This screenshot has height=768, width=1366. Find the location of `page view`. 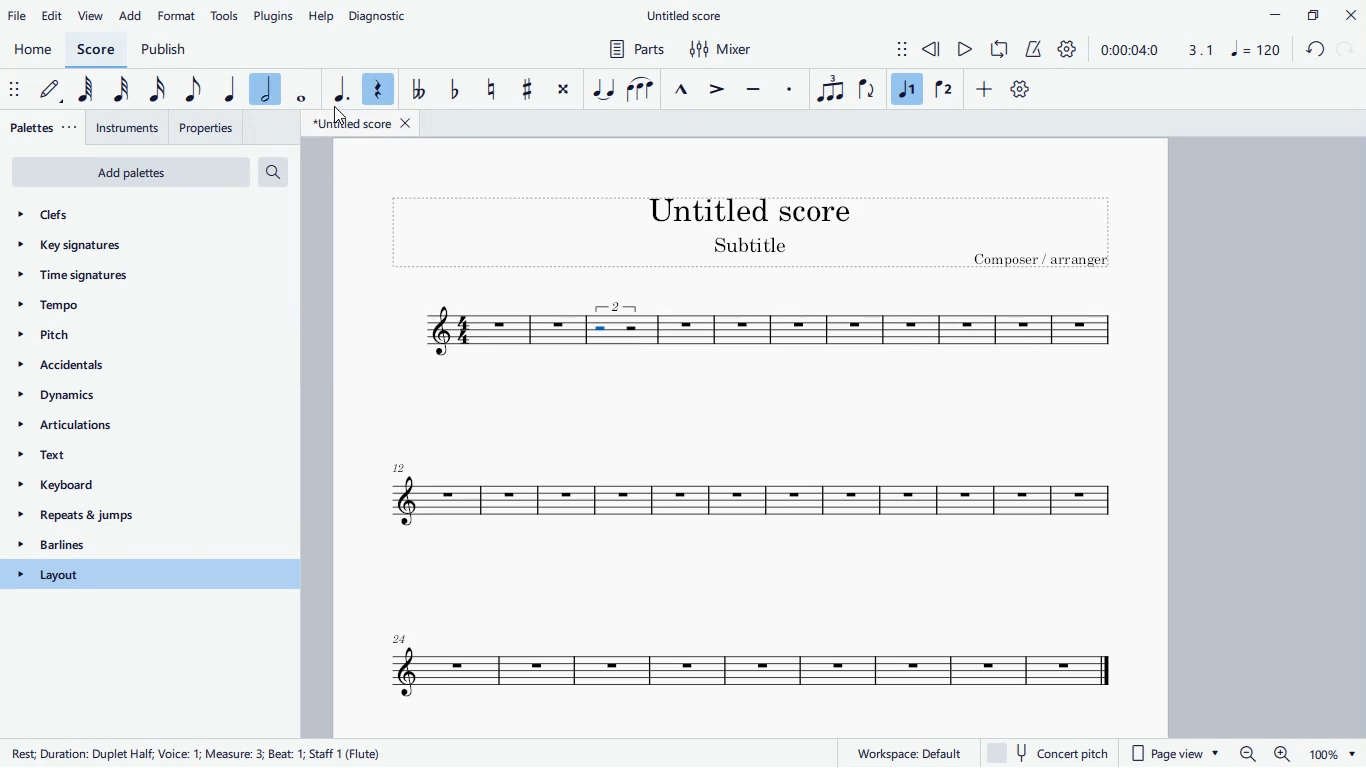

page view is located at coordinates (1178, 754).